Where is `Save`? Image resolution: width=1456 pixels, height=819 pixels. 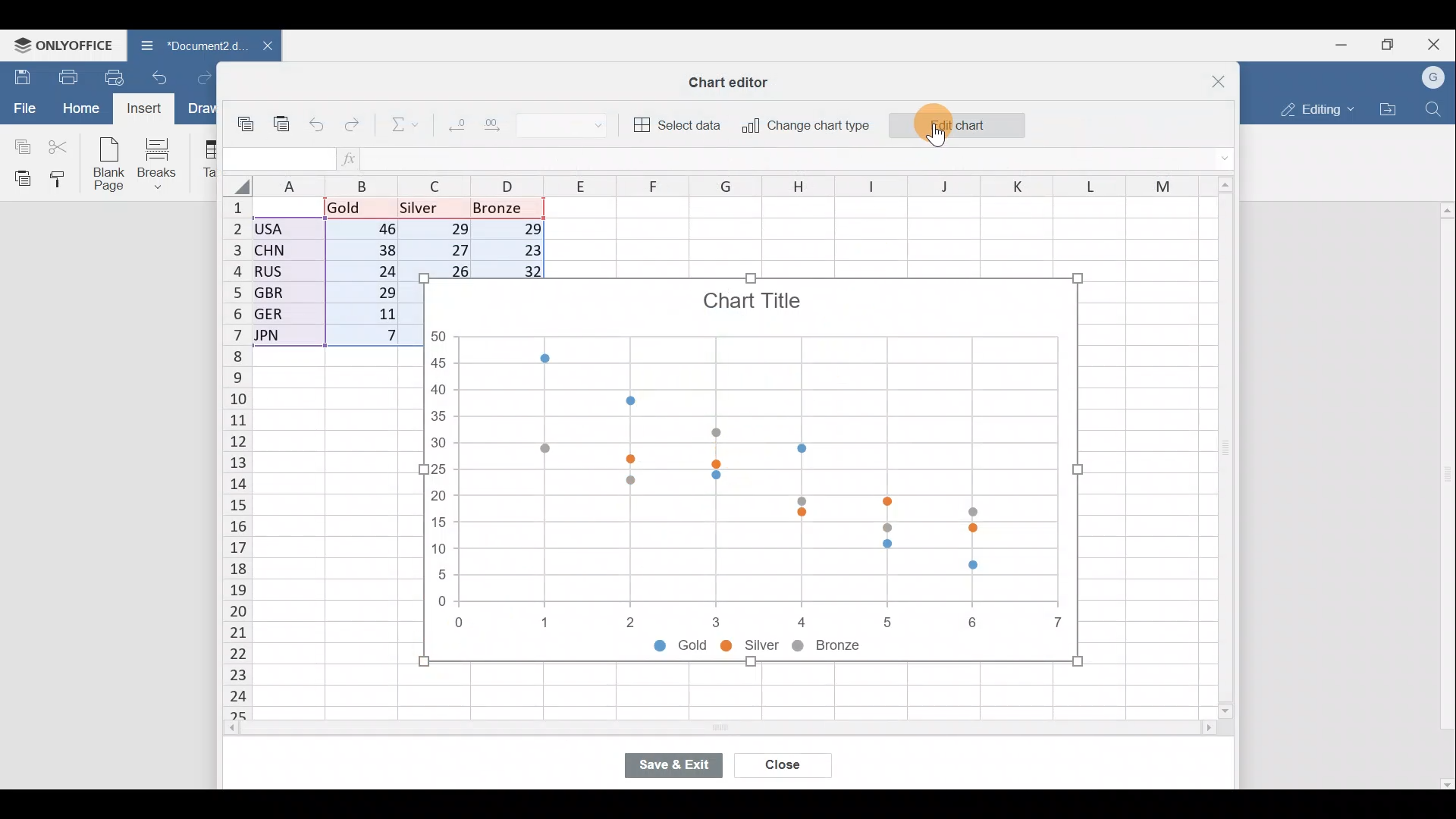 Save is located at coordinates (19, 75).